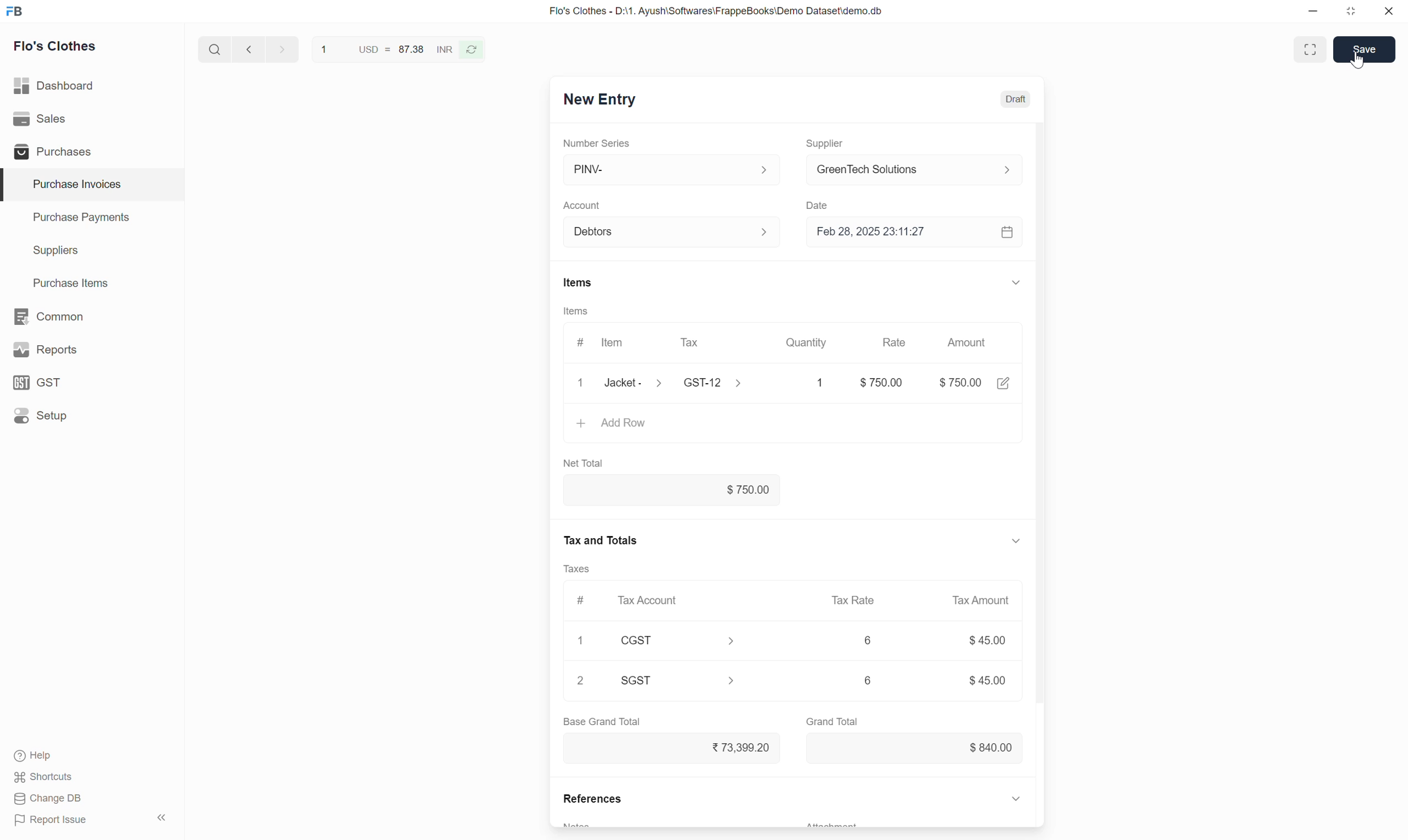  What do you see at coordinates (854, 600) in the screenshot?
I see `Tax Rate` at bounding box center [854, 600].